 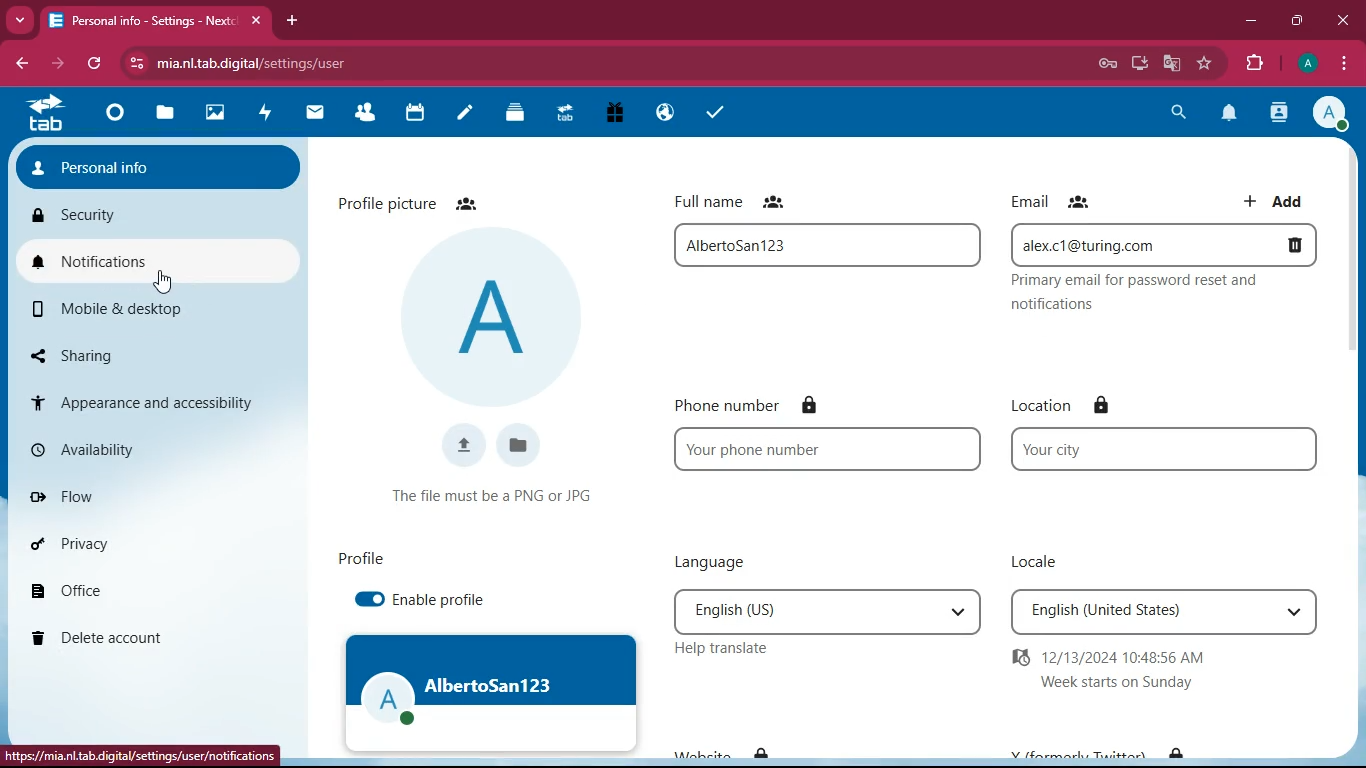 I want to click on view site information, so click(x=134, y=65).